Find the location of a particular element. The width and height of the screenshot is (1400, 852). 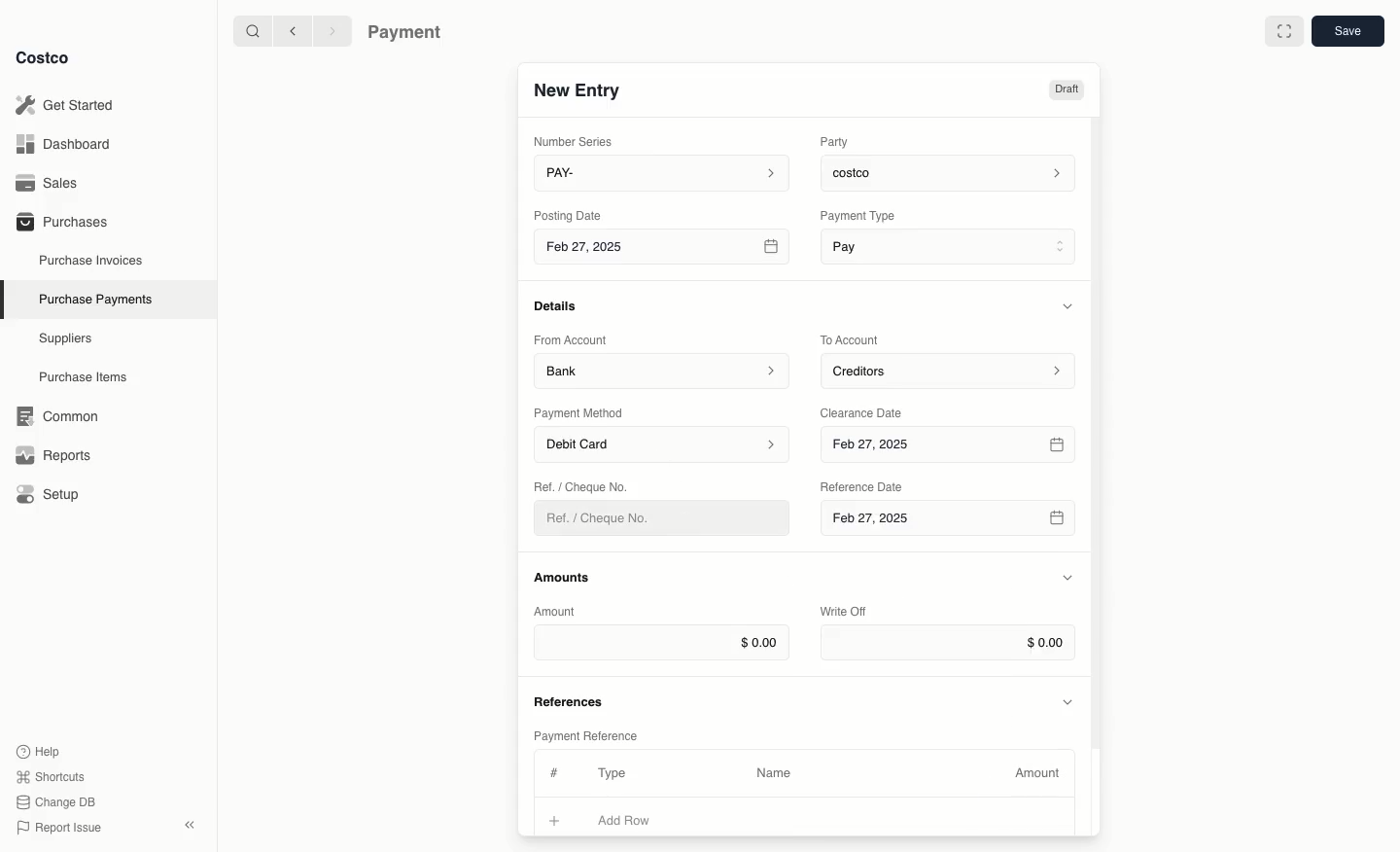

Ret. / Cheque No. is located at coordinates (583, 485).